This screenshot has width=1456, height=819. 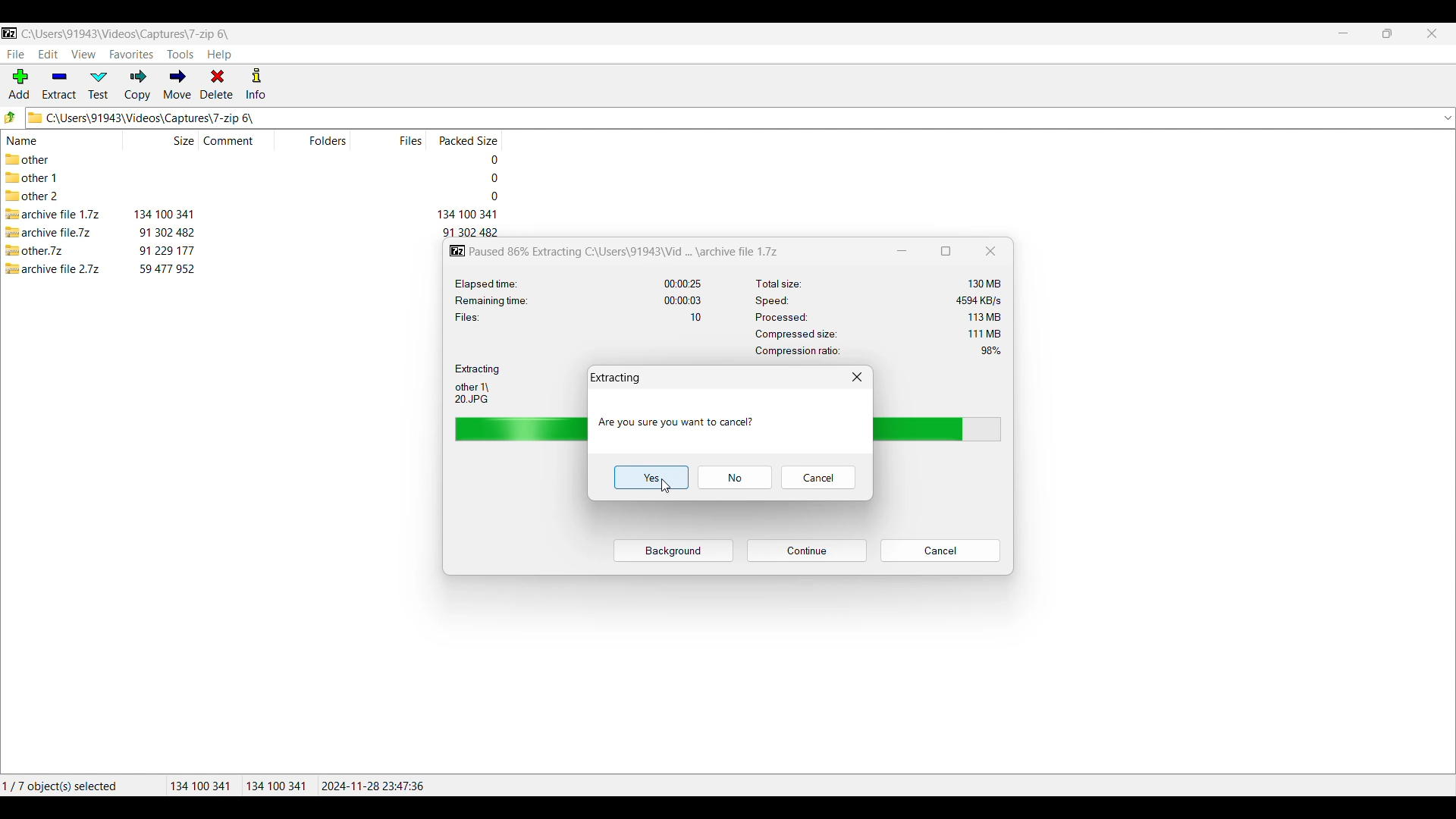 What do you see at coordinates (490, 196) in the screenshot?
I see `packed size` at bounding box center [490, 196].